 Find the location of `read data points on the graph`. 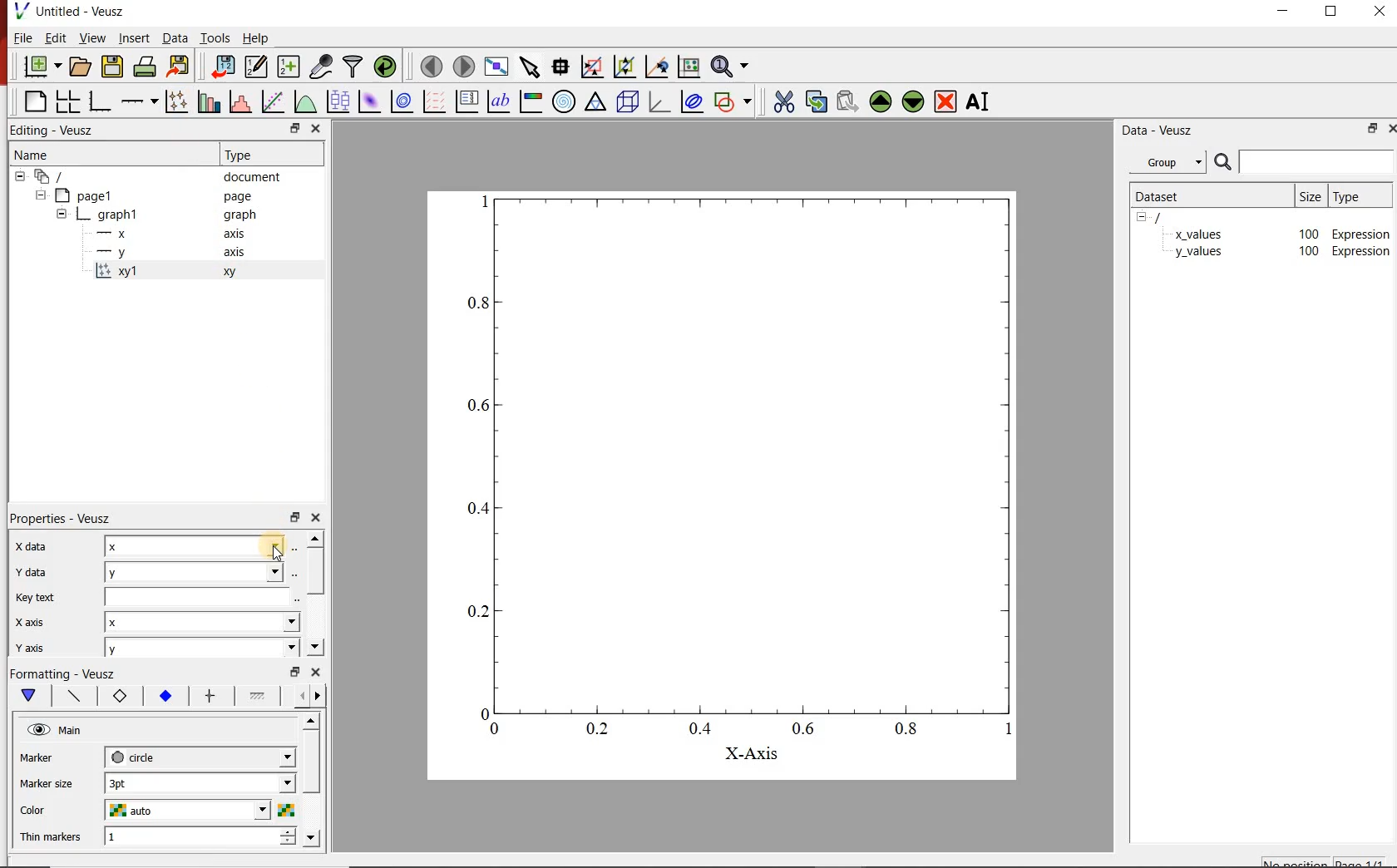

read data points on the graph is located at coordinates (561, 66).